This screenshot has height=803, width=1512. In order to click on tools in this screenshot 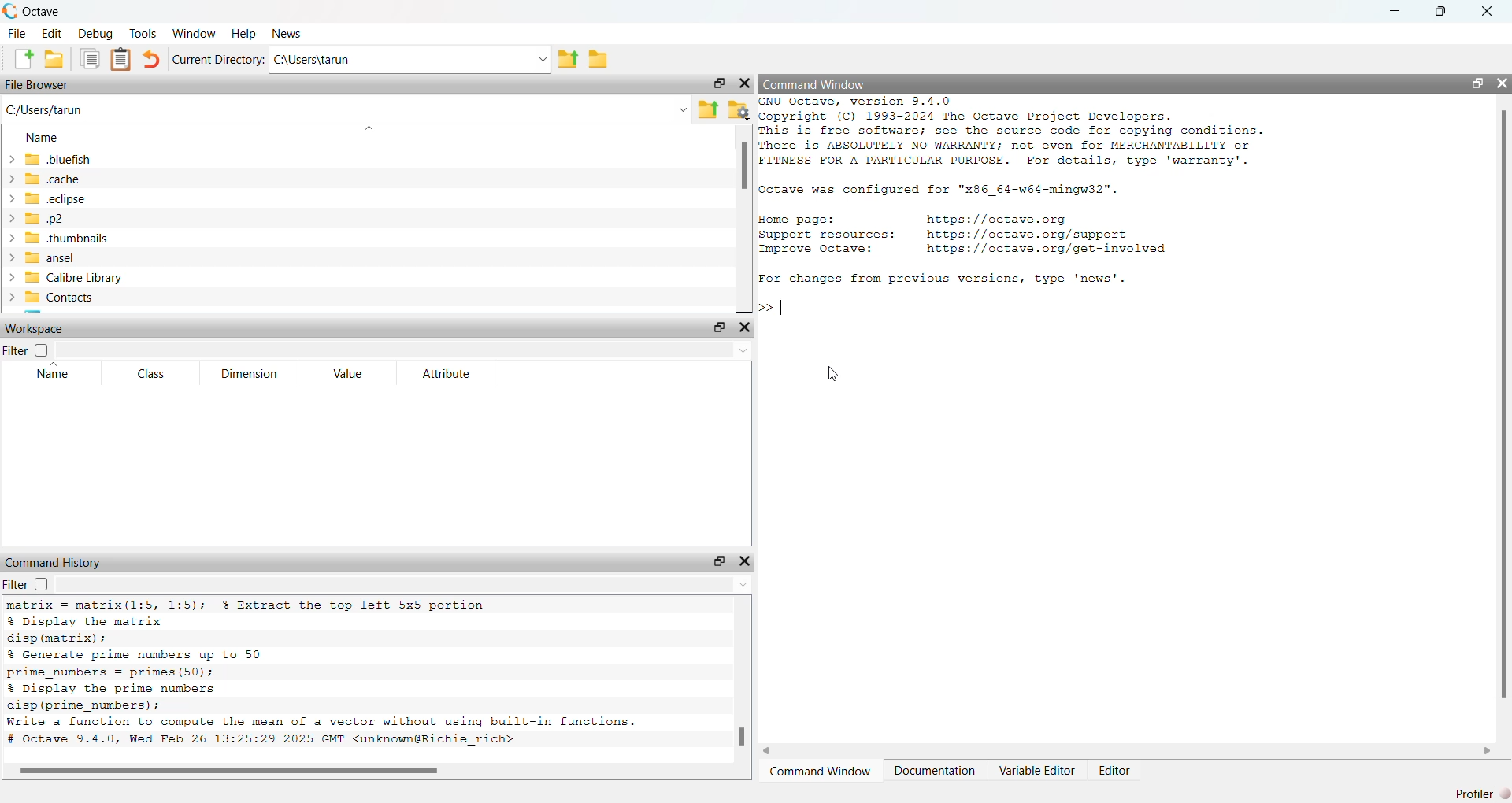, I will do `click(144, 33)`.